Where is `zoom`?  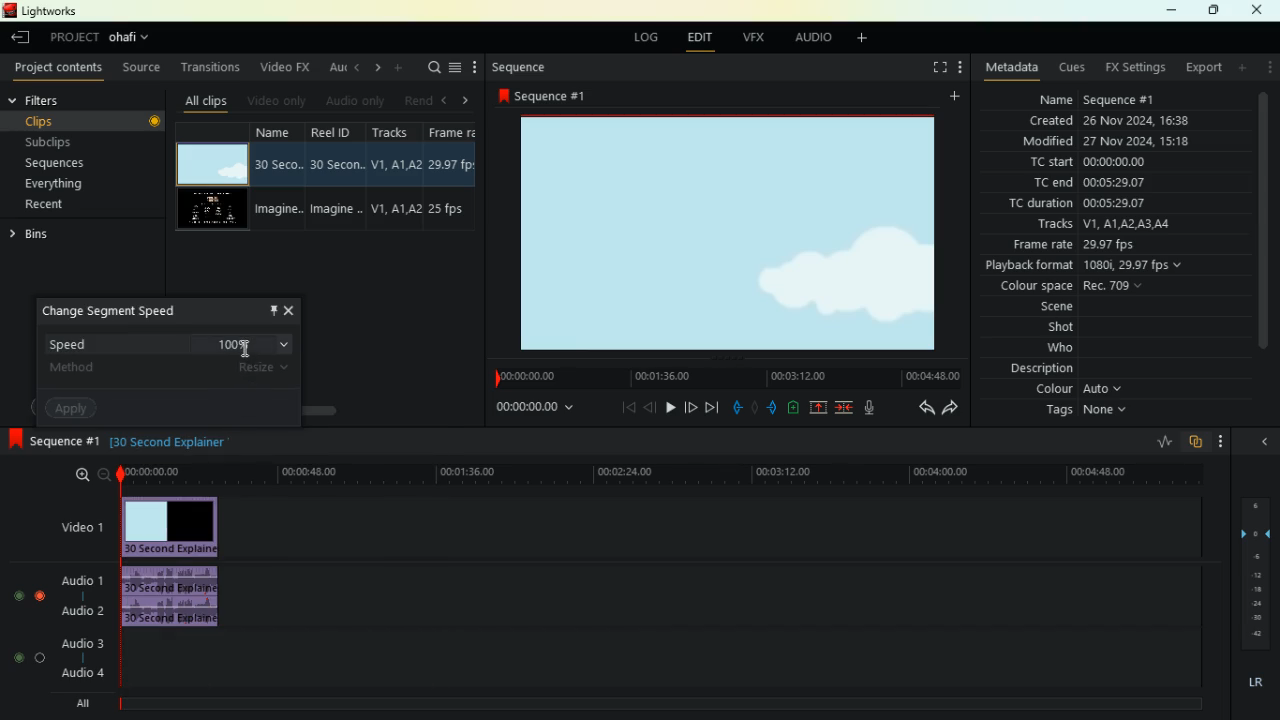
zoom is located at coordinates (82, 474).